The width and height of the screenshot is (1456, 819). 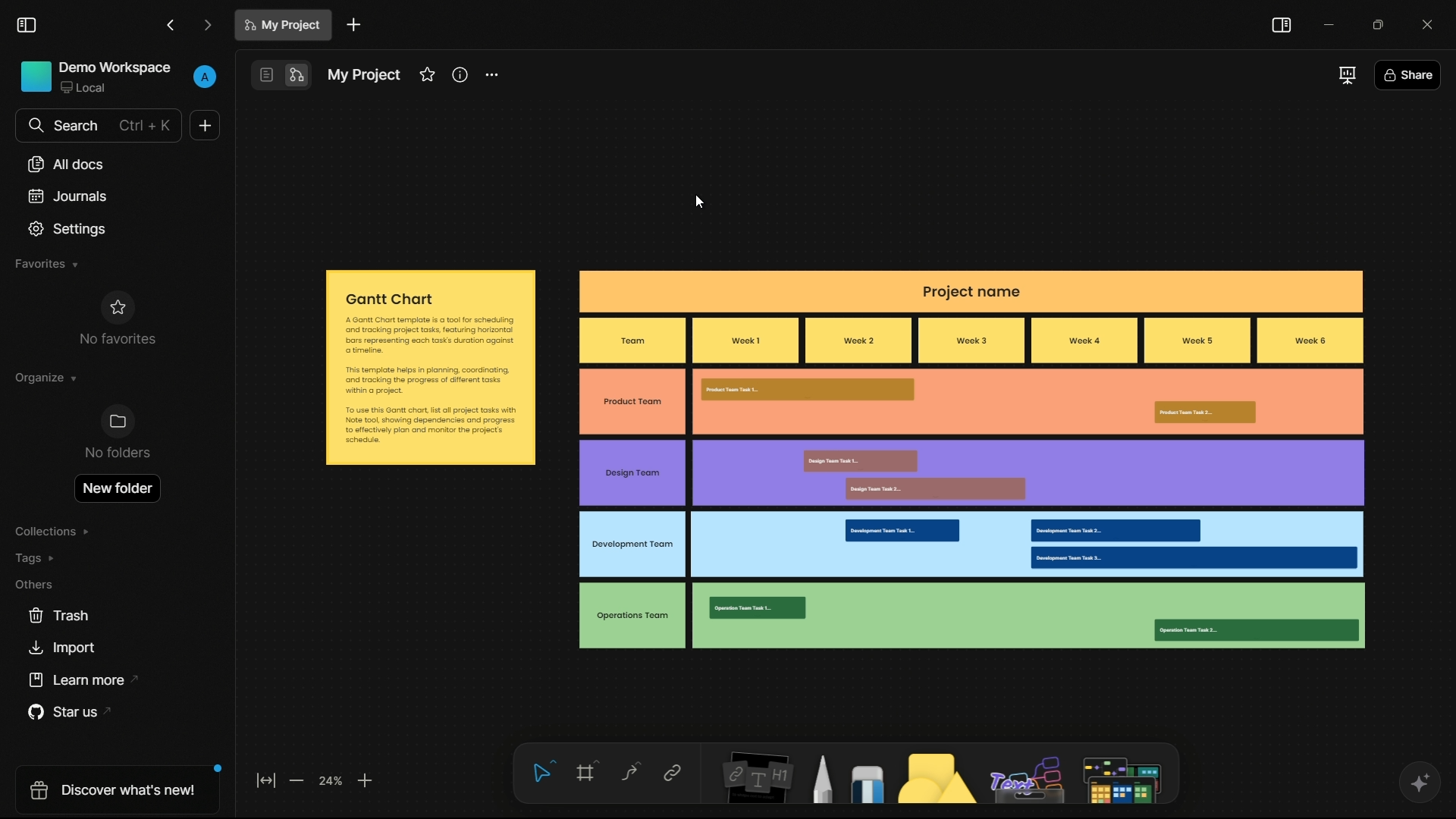 What do you see at coordinates (171, 24) in the screenshot?
I see `back` at bounding box center [171, 24].